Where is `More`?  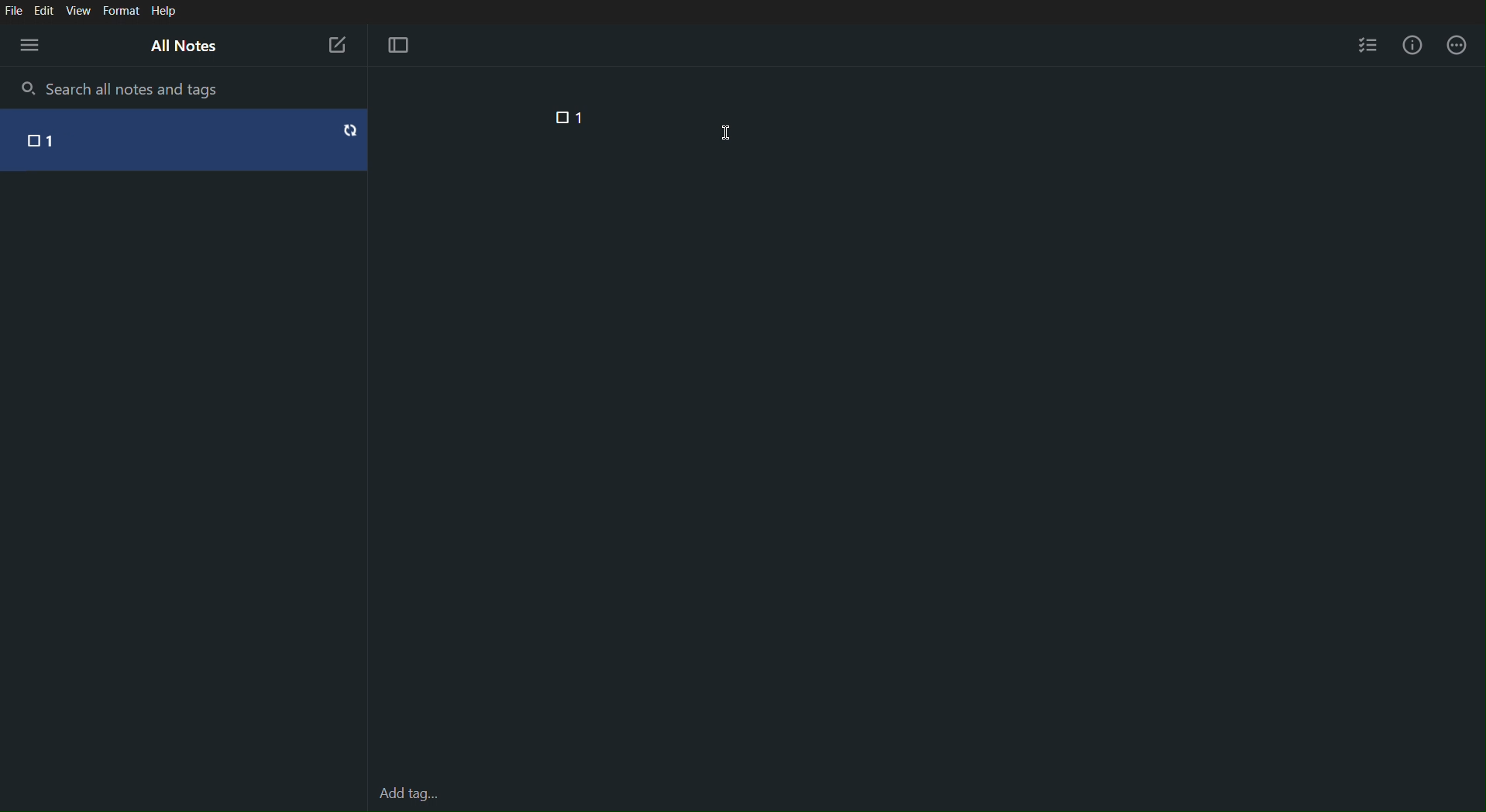
More is located at coordinates (1457, 45).